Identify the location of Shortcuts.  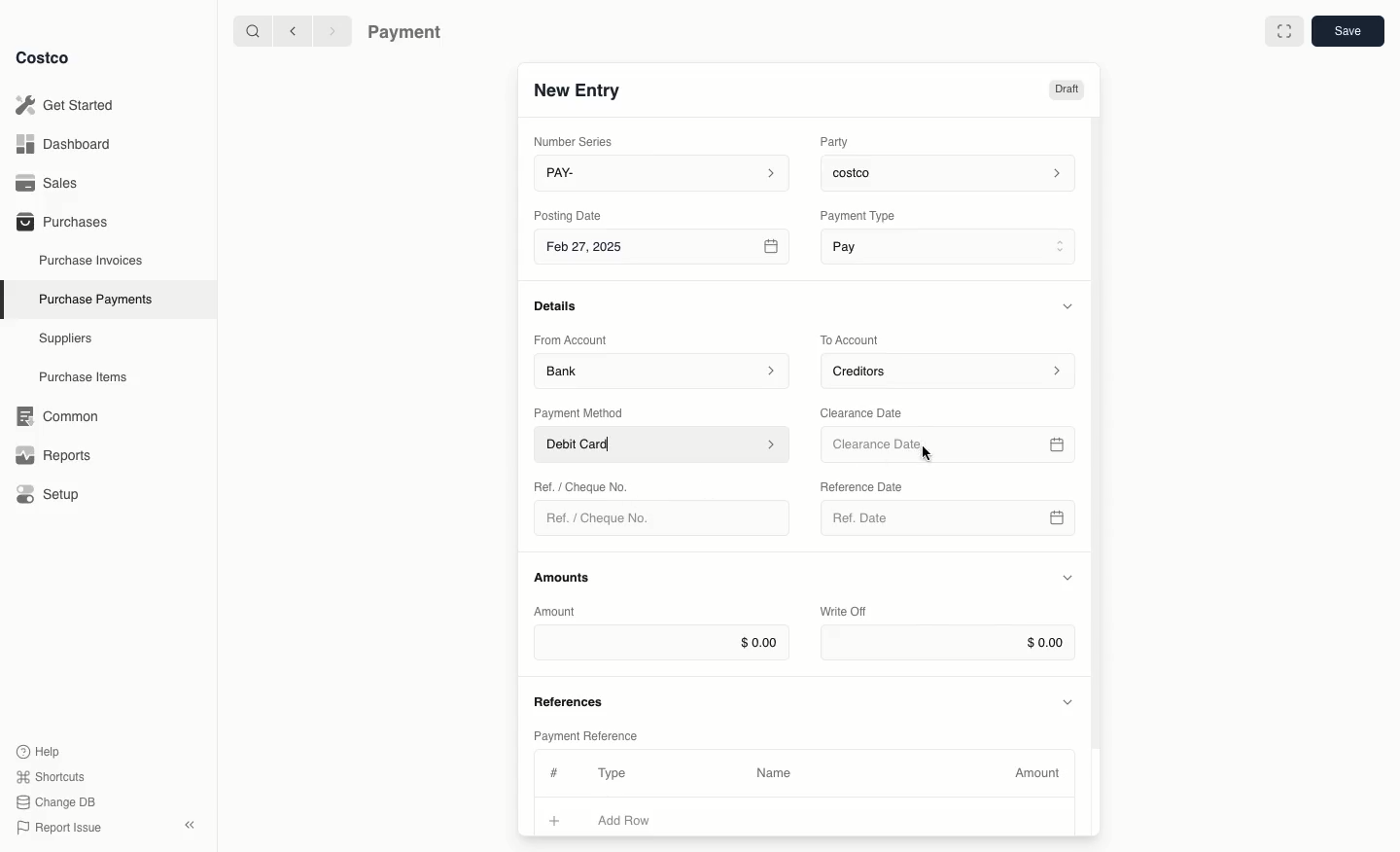
(50, 775).